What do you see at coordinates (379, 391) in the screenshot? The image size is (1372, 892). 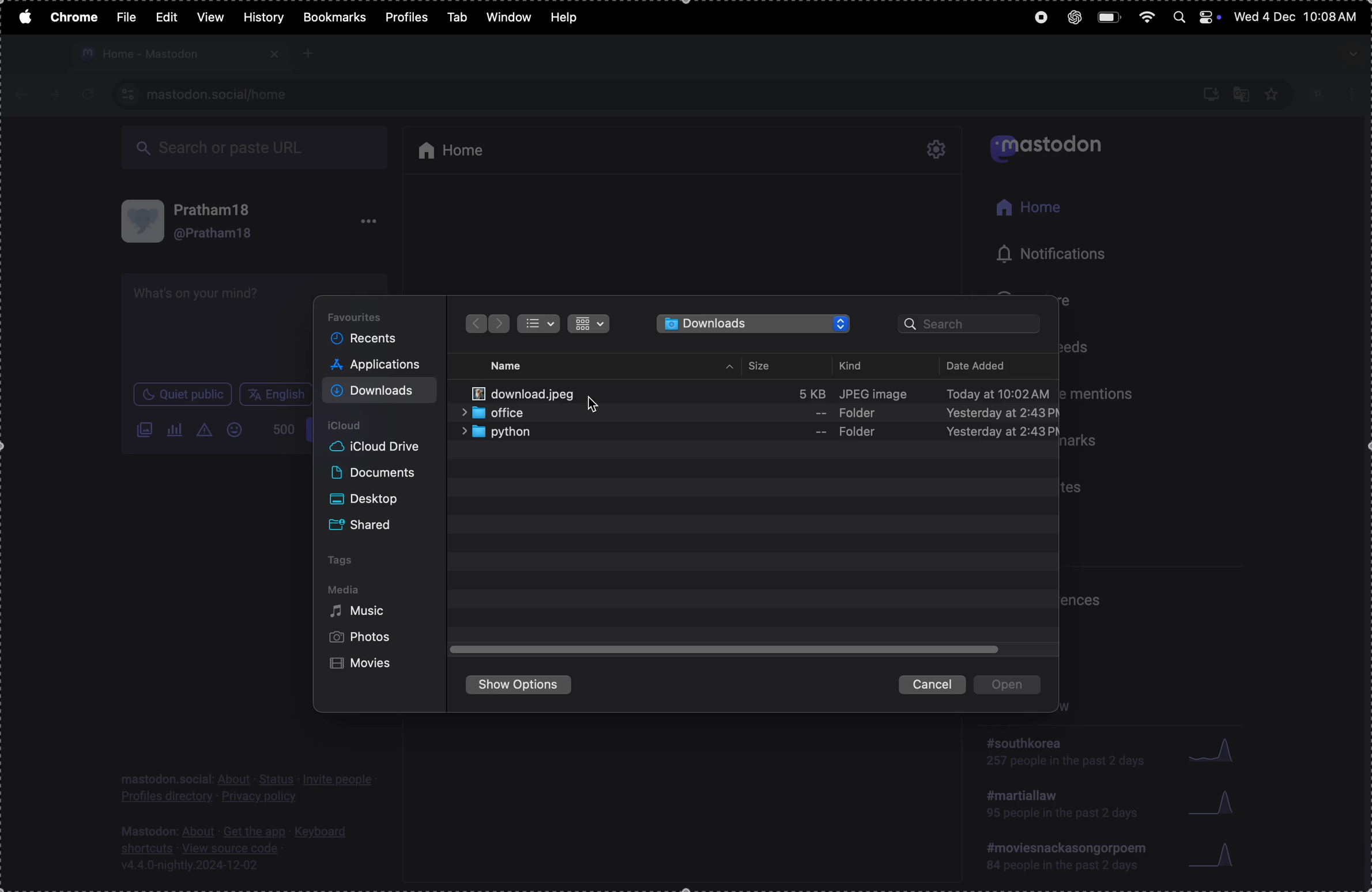 I see `Down loads` at bounding box center [379, 391].